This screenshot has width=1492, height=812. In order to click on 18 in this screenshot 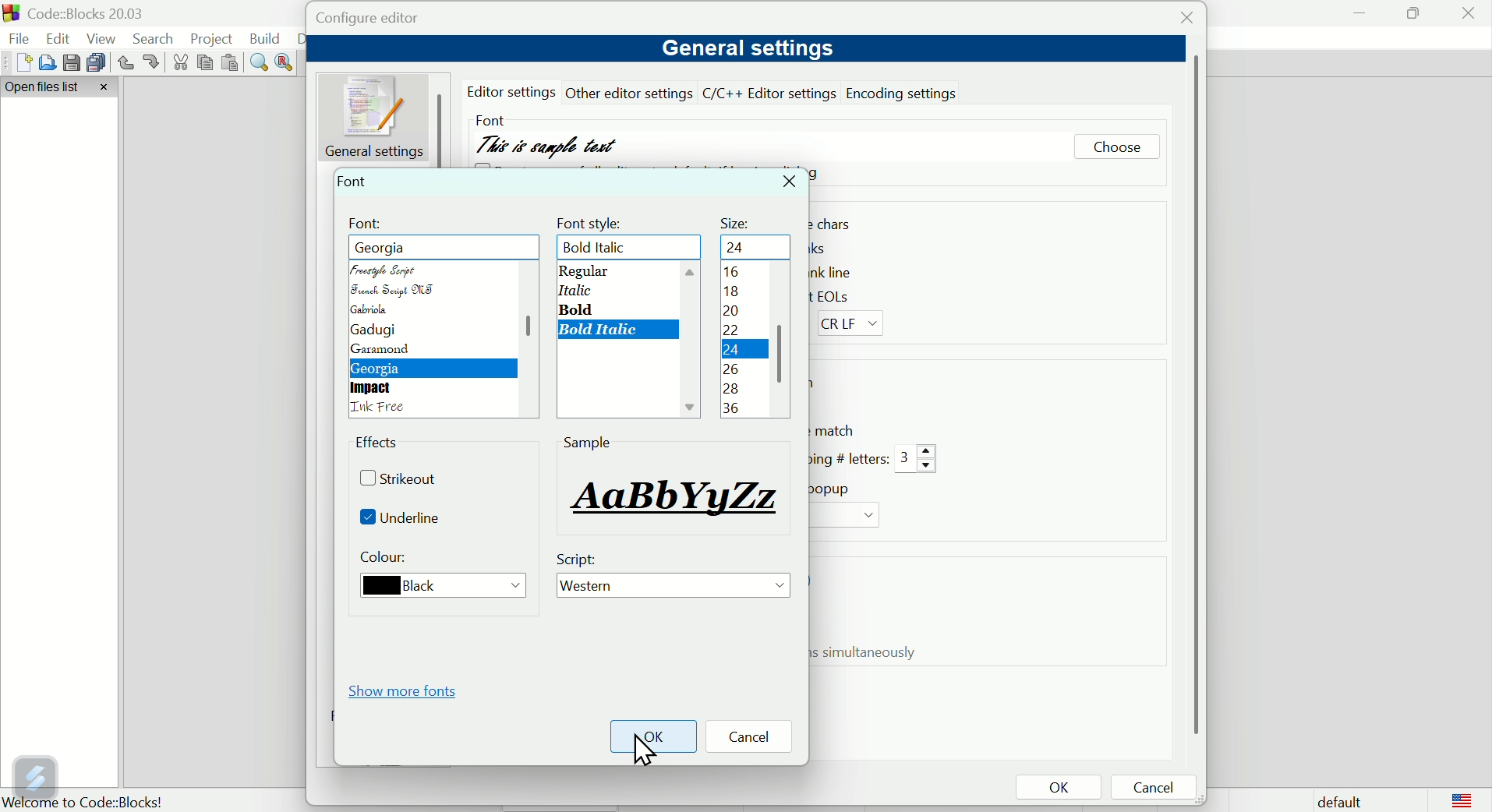, I will do `click(736, 291)`.